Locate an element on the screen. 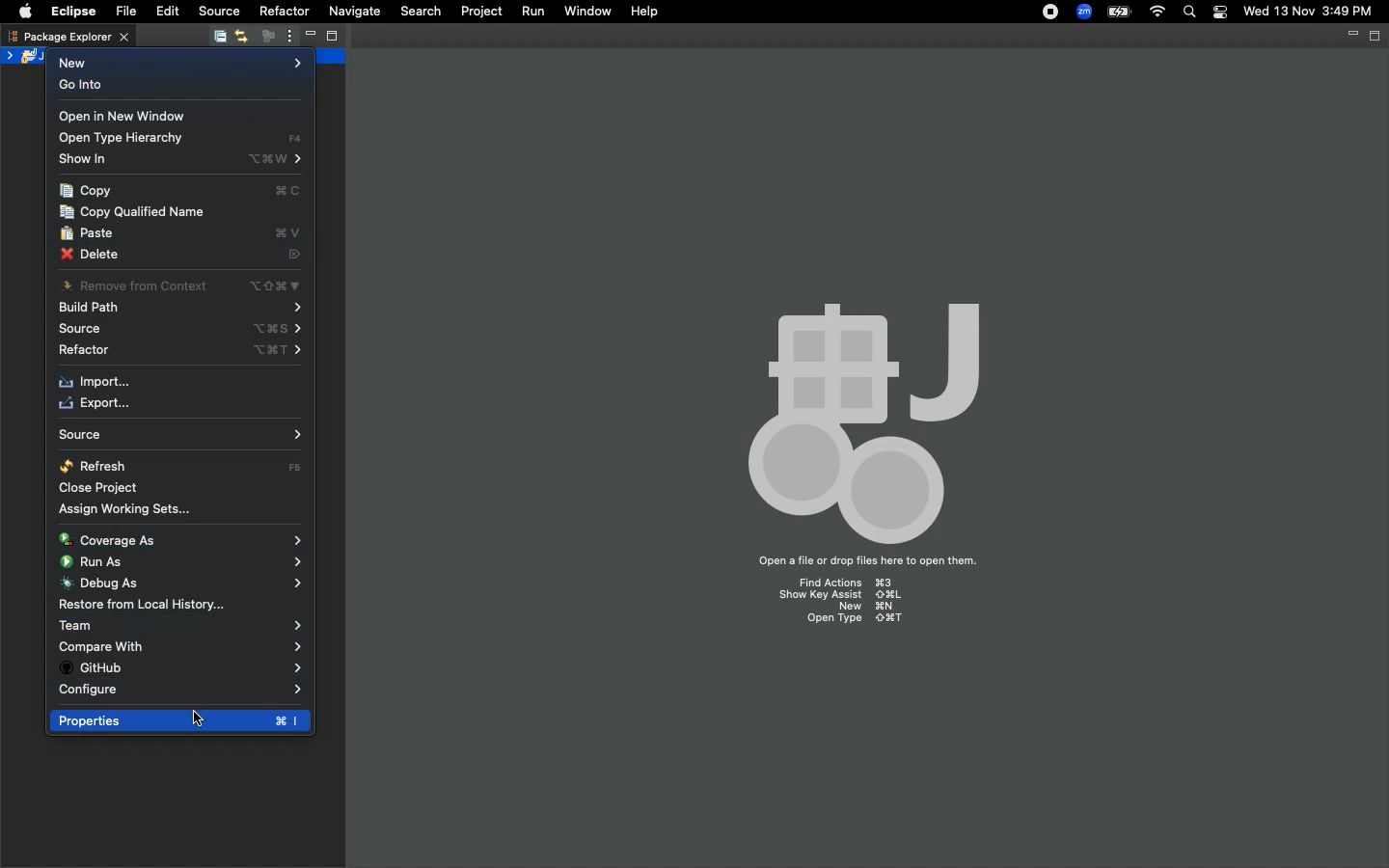 The width and height of the screenshot is (1389, 868). Find action ⌘3 Show Key assist ⇧⌘L New ⌘N Open Type ⇧⌘T is located at coordinates (848, 606).